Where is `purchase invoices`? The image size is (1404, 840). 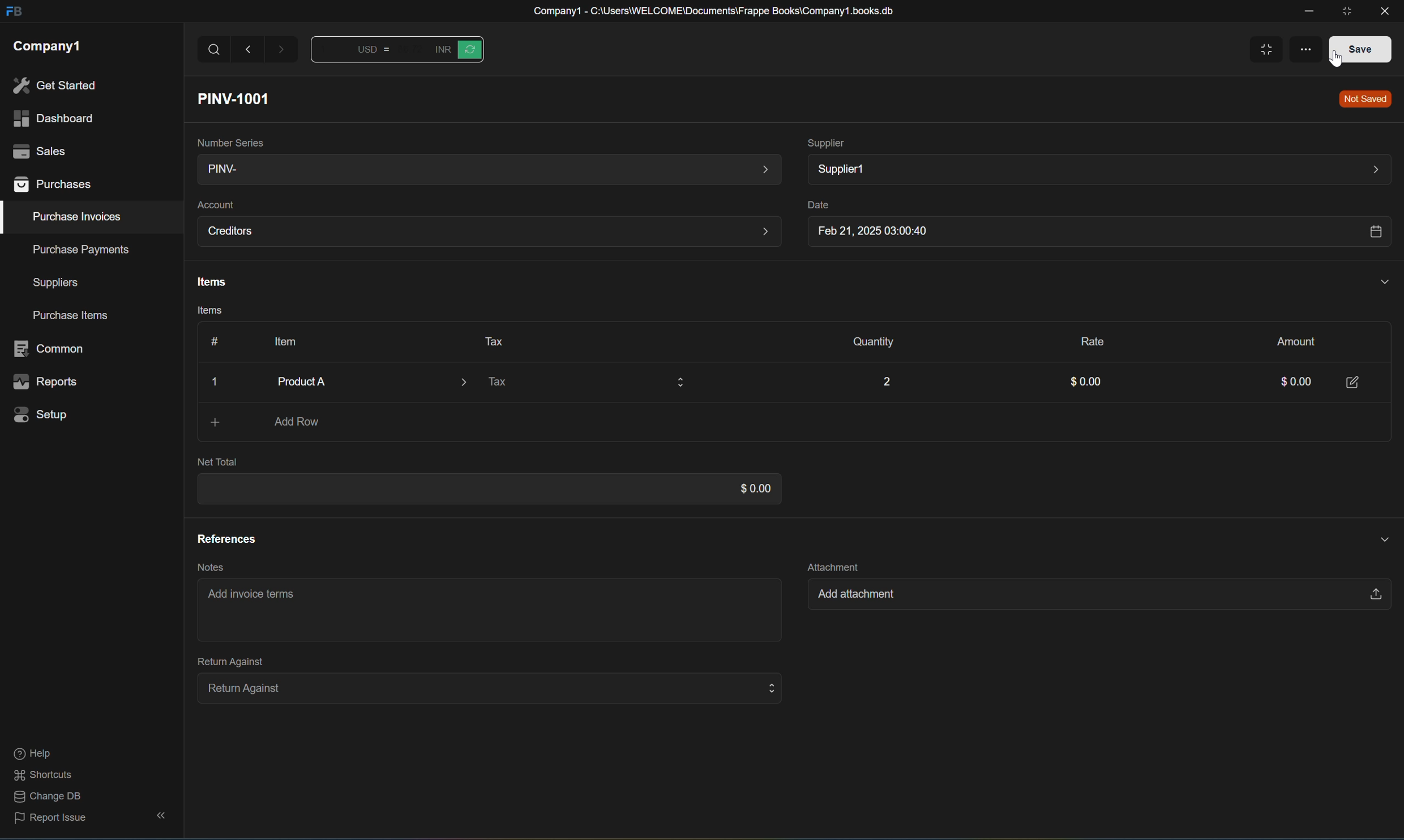
purchase invoices is located at coordinates (78, 217).